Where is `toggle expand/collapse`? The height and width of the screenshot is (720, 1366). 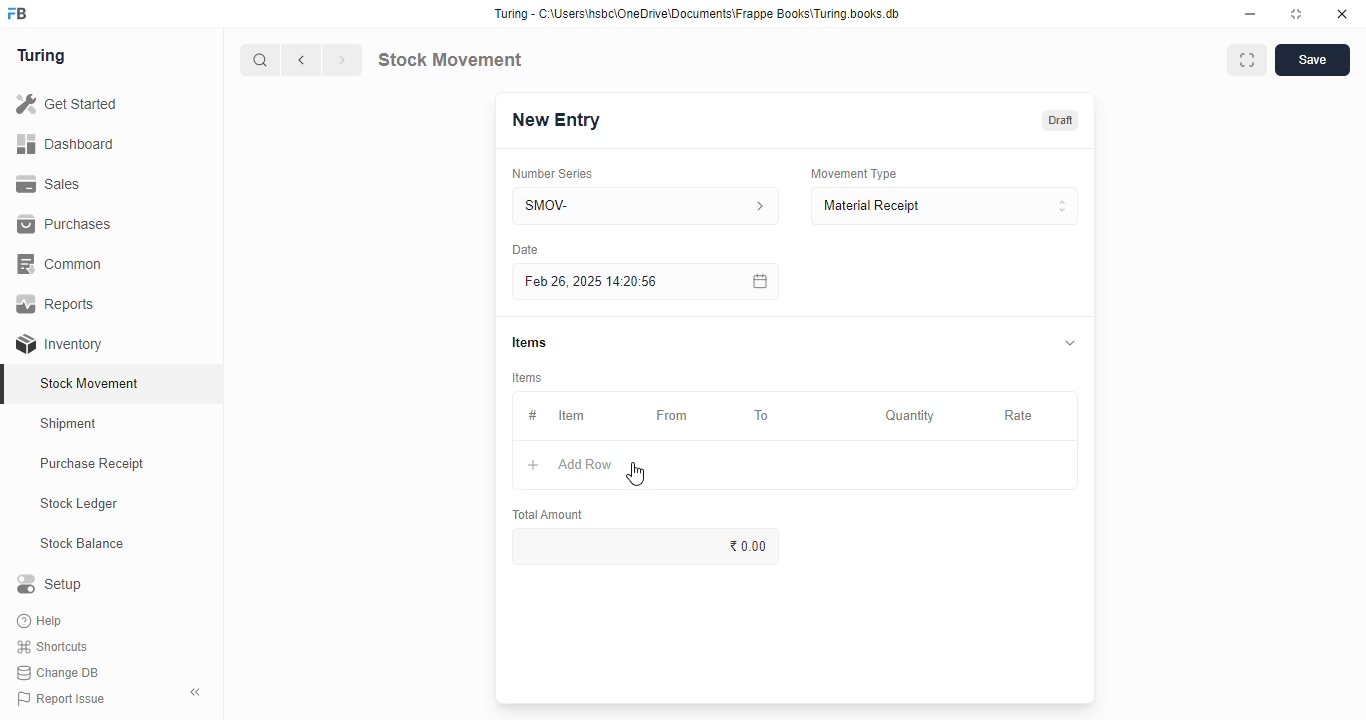
toggle expand/collapse is located at coordinates (1071, 342).